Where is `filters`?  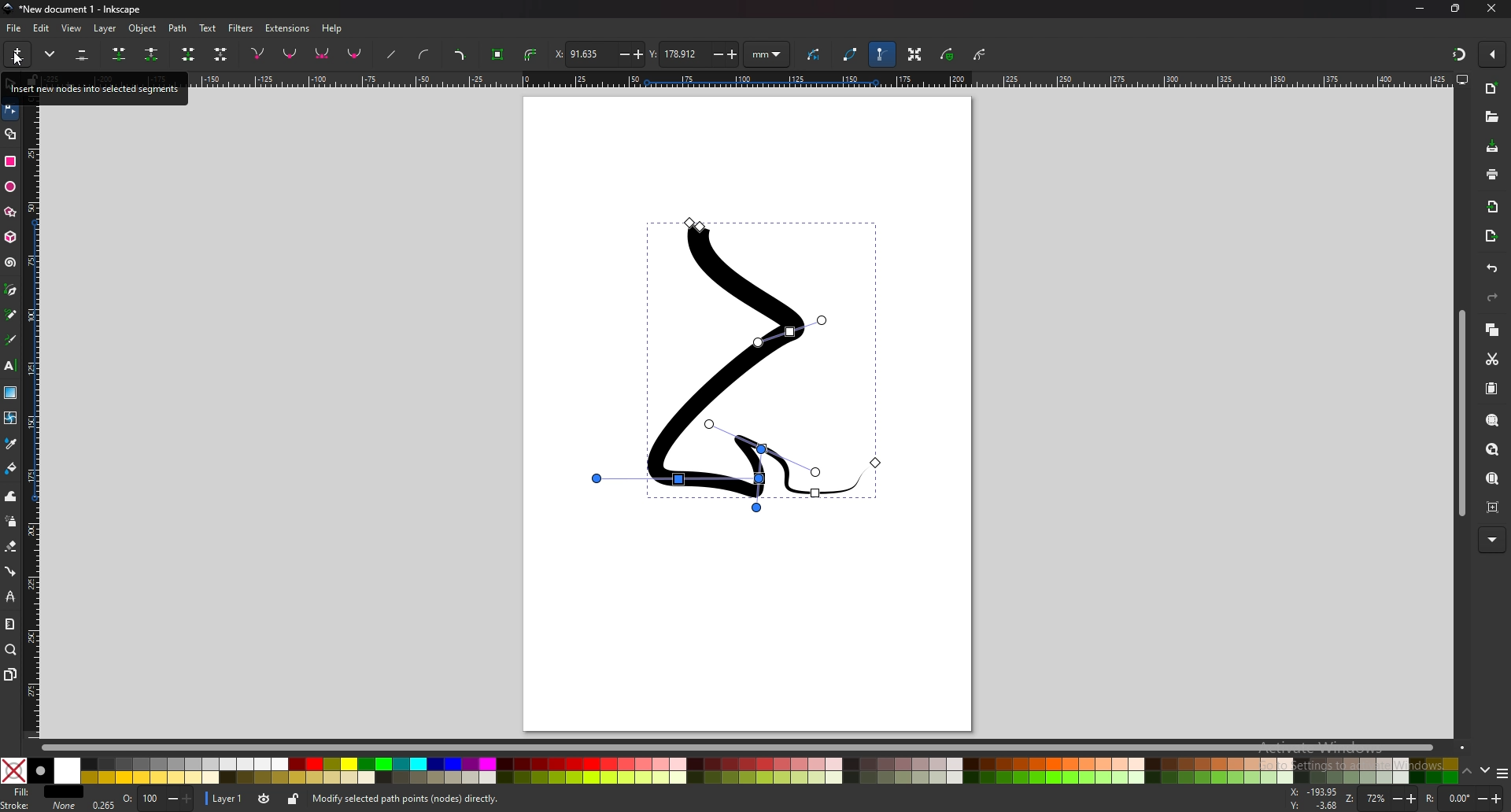
filters is located at coordinates (241, 28).